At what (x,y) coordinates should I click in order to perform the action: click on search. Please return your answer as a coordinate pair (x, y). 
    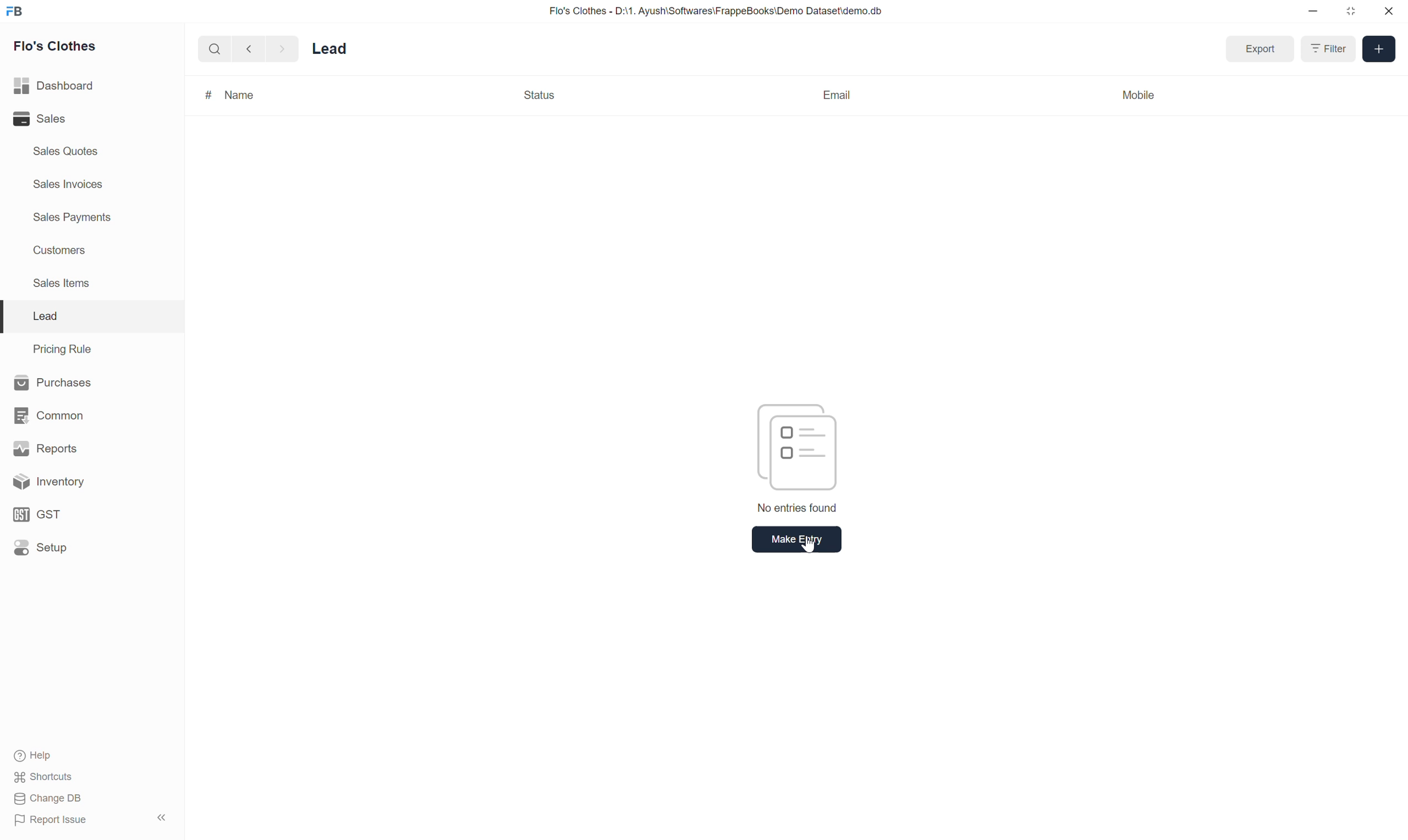
    Looking at the image, I should click on (213, 48).